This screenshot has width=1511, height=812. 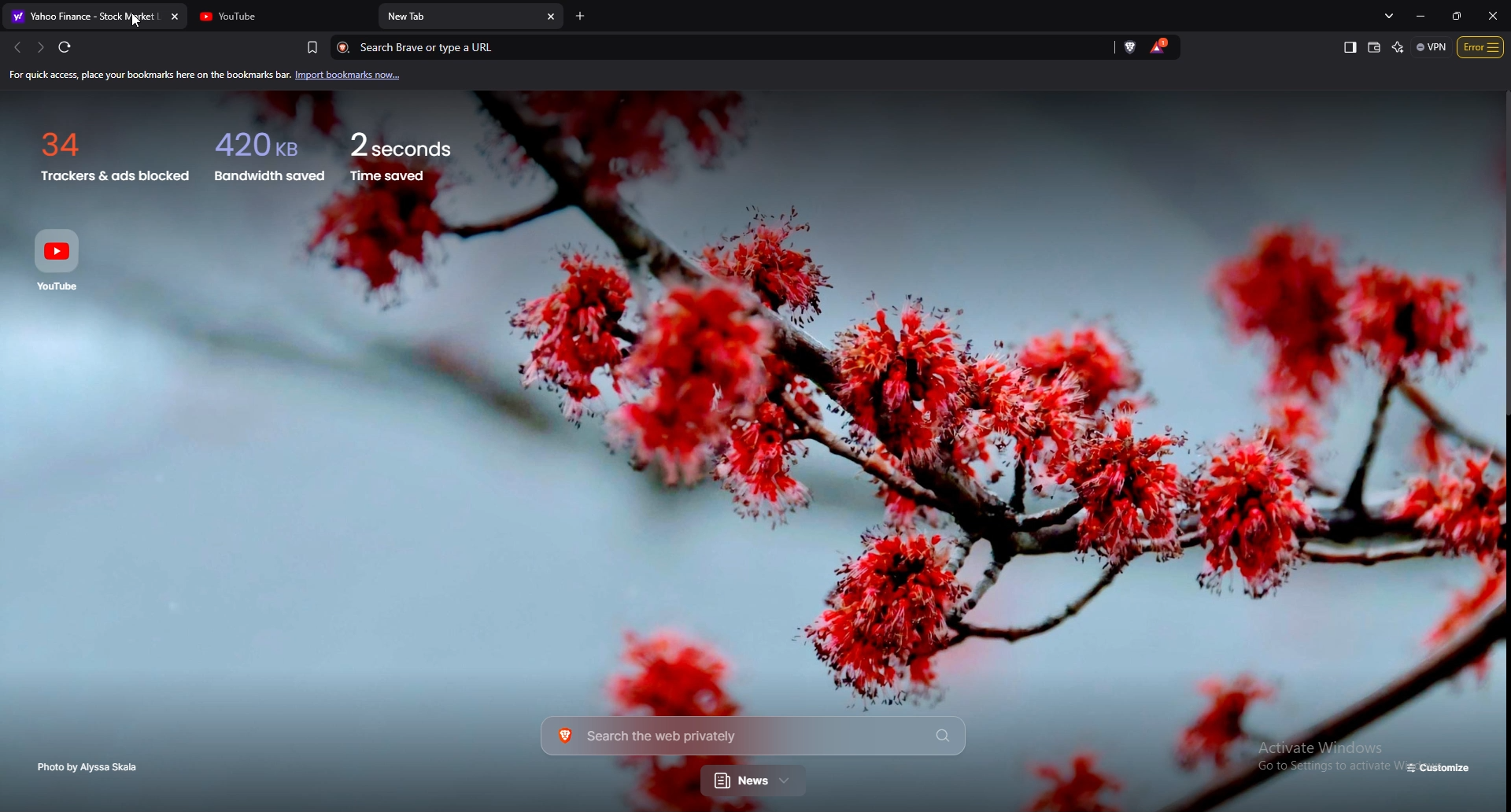 What do you see at coordinates (92, 767) in the screenshot?
I see `photo by Alyssa Skala` at bounding box center [92, 767].